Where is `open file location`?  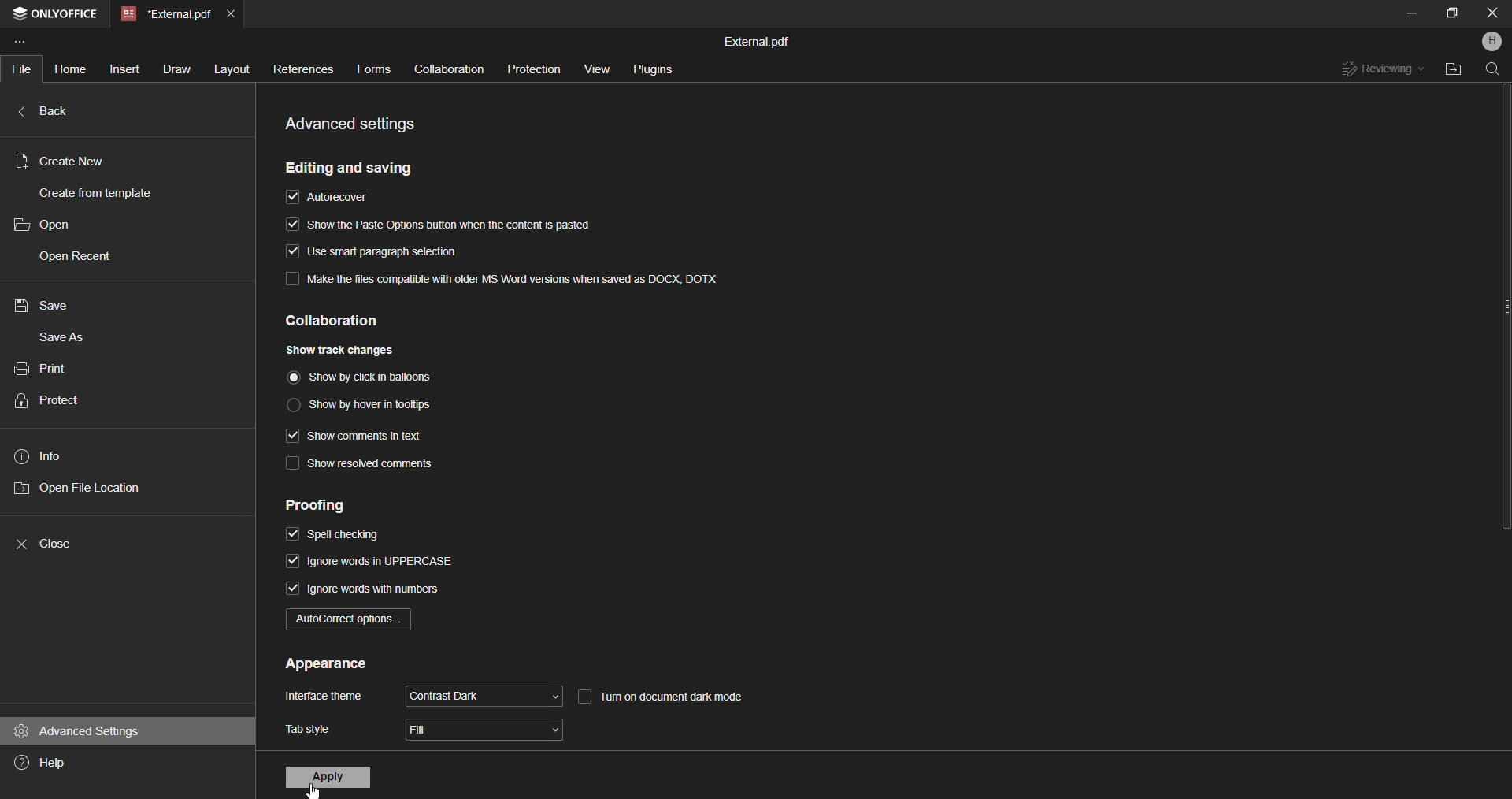
open file location is located at coordinates (85, 487).